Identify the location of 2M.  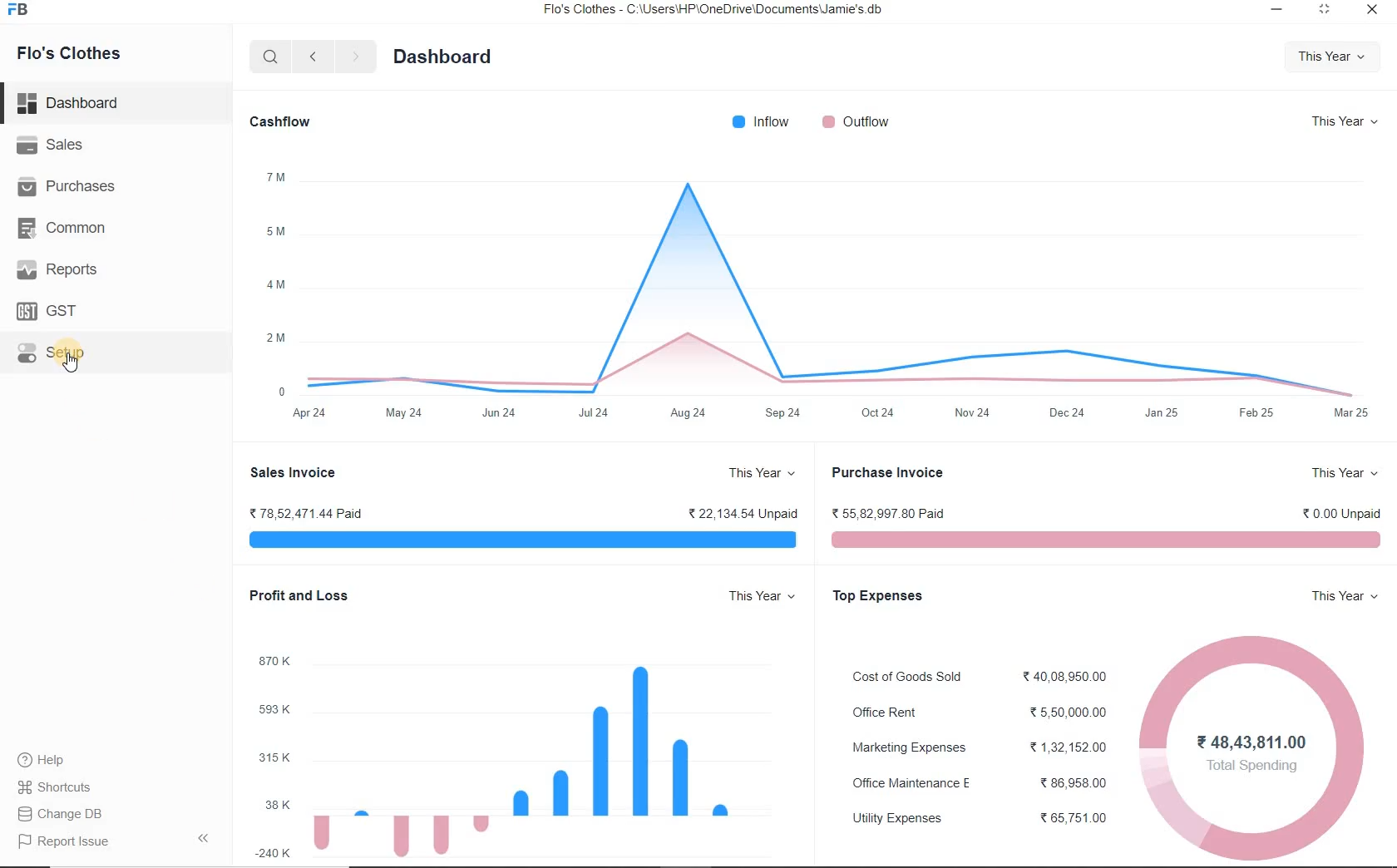
(278, 338).